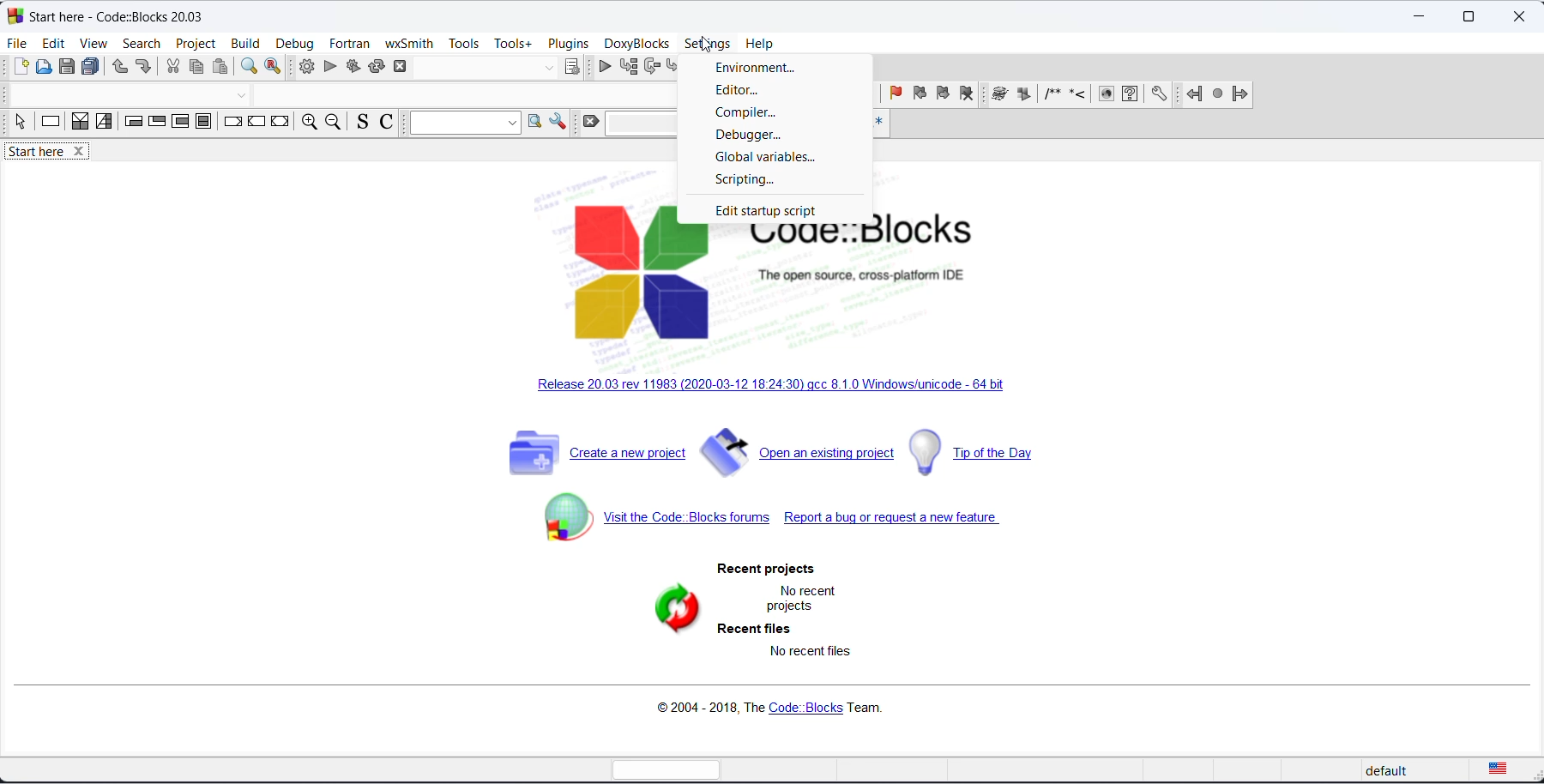 This screenshot has width=1544, height=784. I want to click on report bug, so click(904, 522).